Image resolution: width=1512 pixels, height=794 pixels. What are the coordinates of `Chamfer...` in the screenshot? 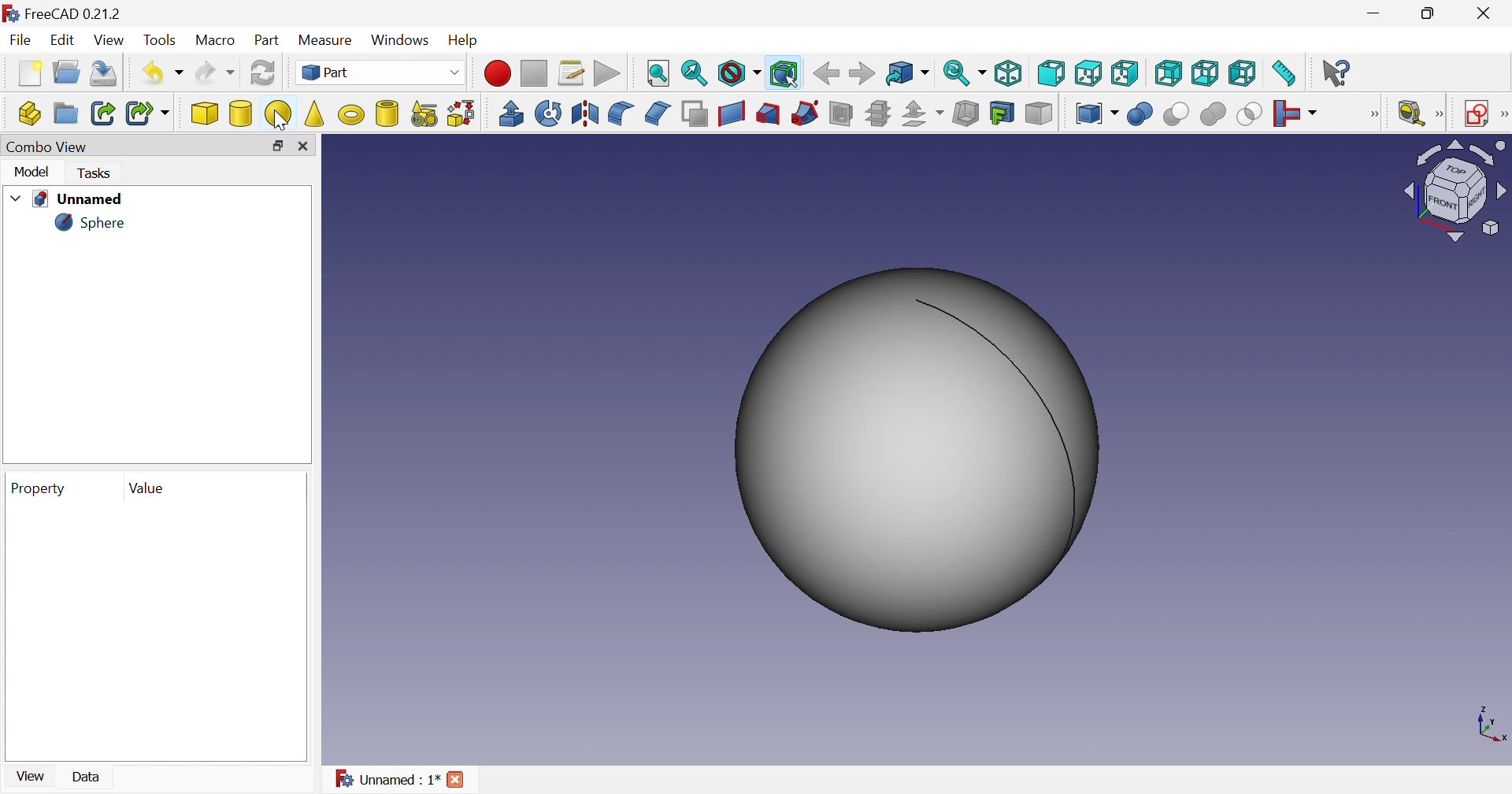 It's located at (659, 113).